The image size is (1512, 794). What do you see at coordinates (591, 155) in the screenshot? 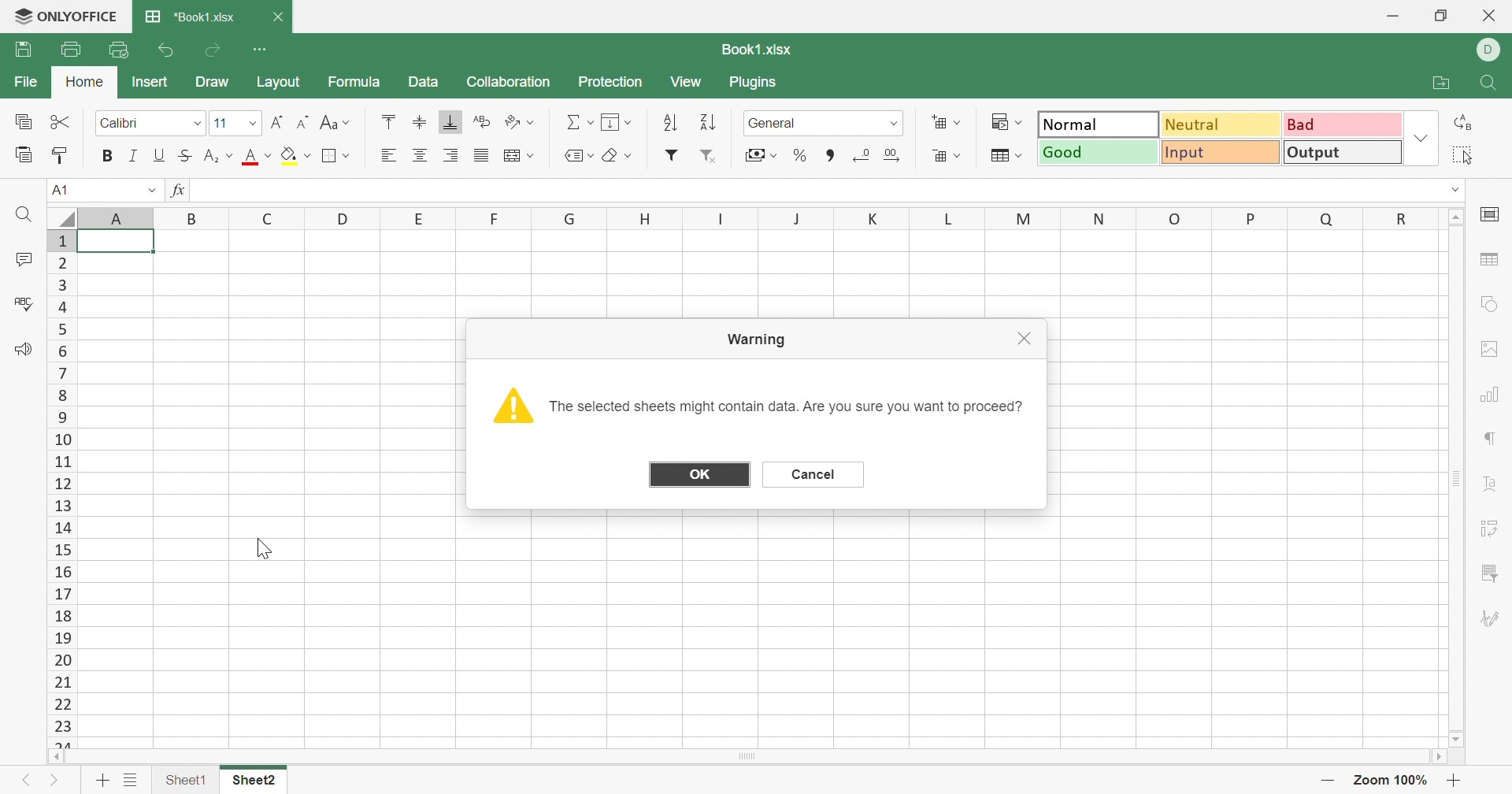
I see `Drop own` at bounding box center [591, 155].